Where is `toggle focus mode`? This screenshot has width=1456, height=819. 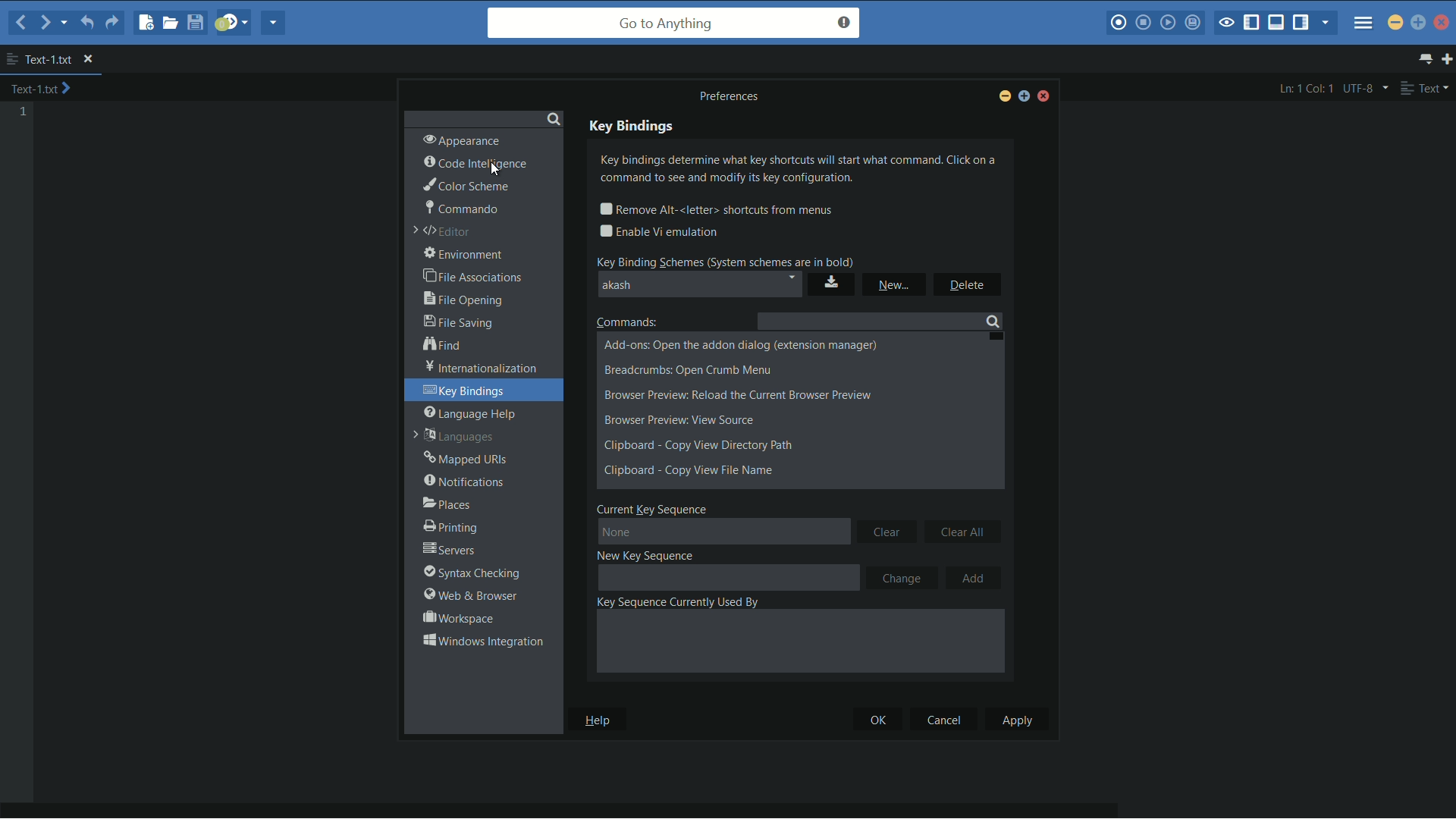 toggle focus mode is located at coordinates (1226, 24).